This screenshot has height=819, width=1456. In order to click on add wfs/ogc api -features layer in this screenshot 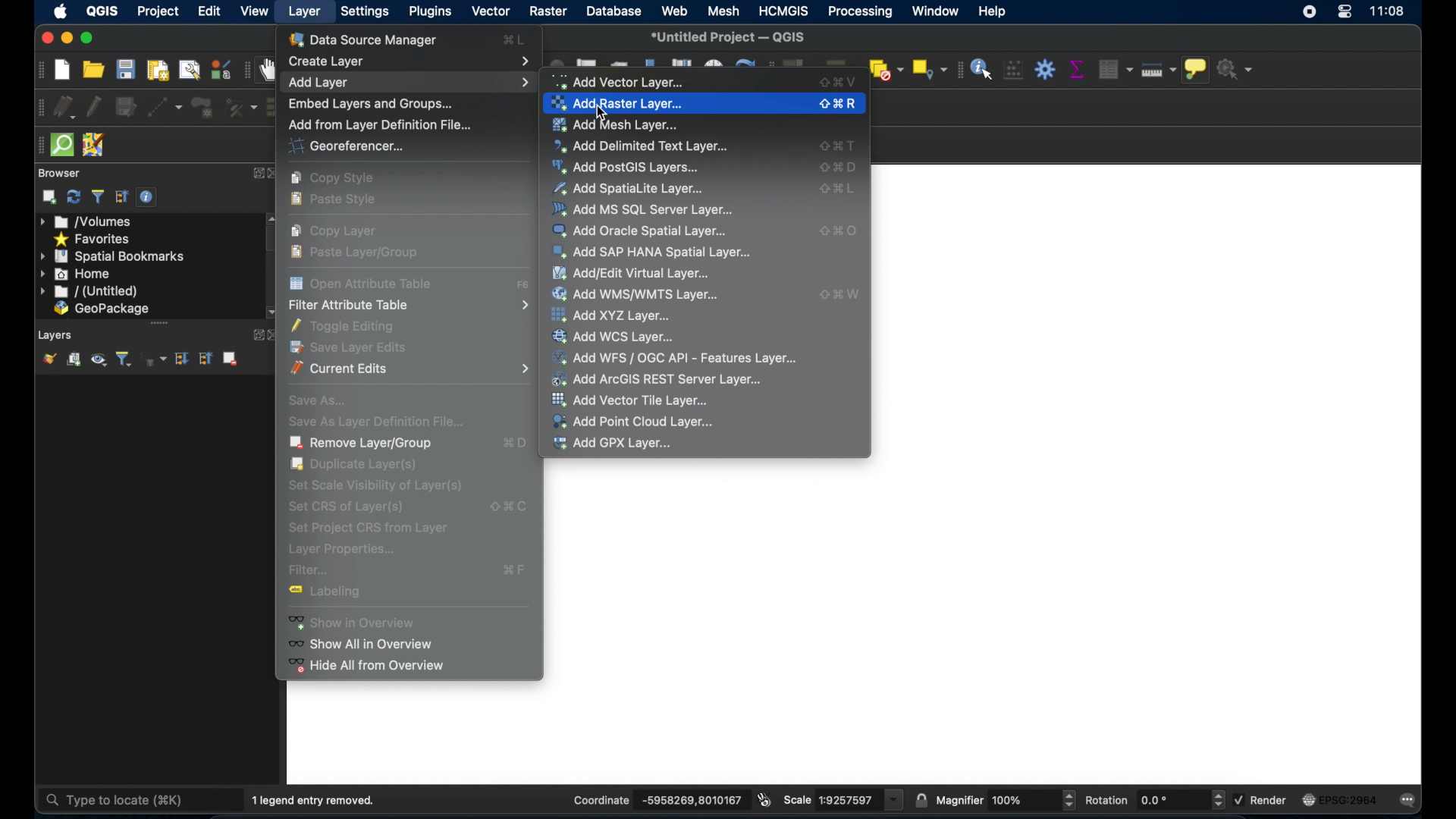, I will do `click(675, 356)`.